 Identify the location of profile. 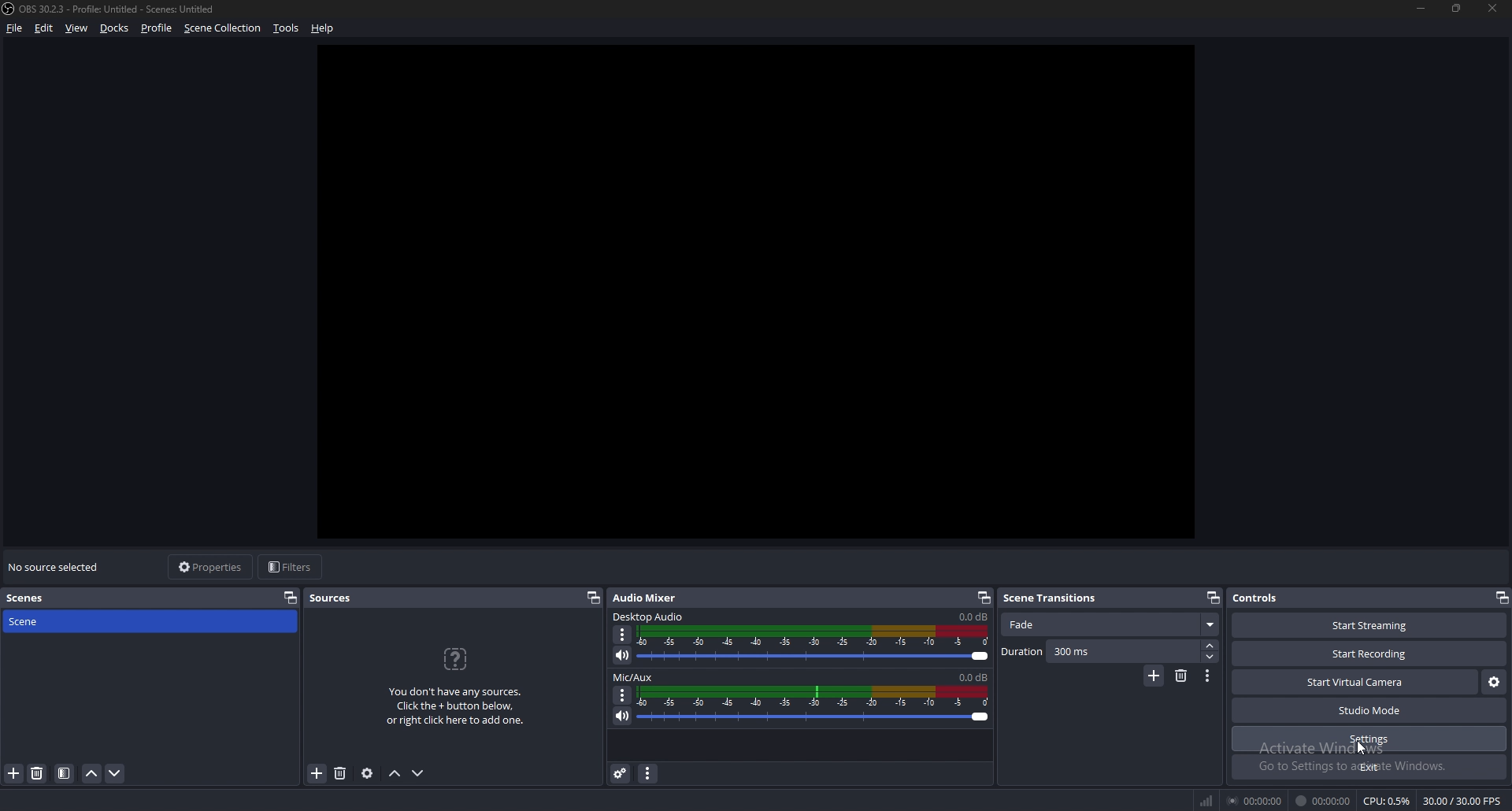
(159, 28).